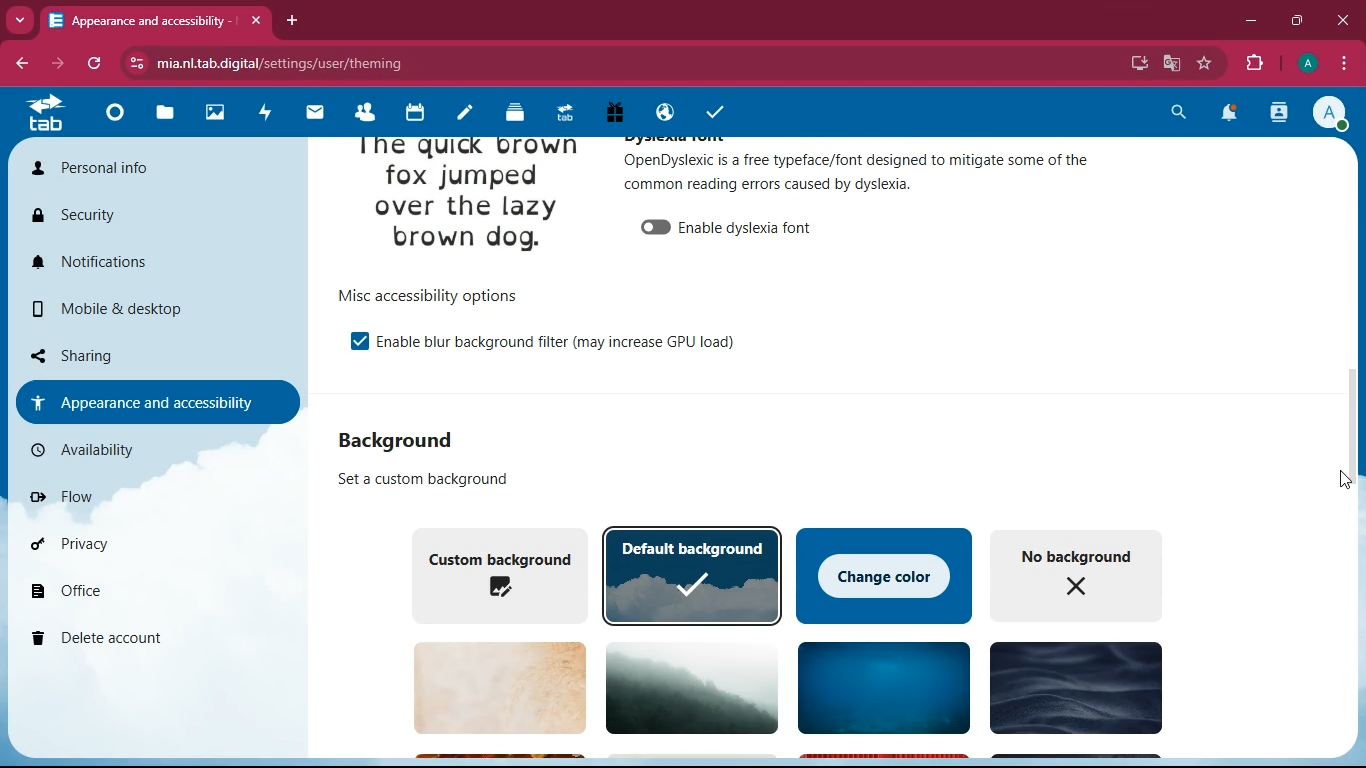 The image size is (1366, 768). What do you see at coordinates (468, 201) in the screenshot?
I see `image` at bounding box center [468, 201].